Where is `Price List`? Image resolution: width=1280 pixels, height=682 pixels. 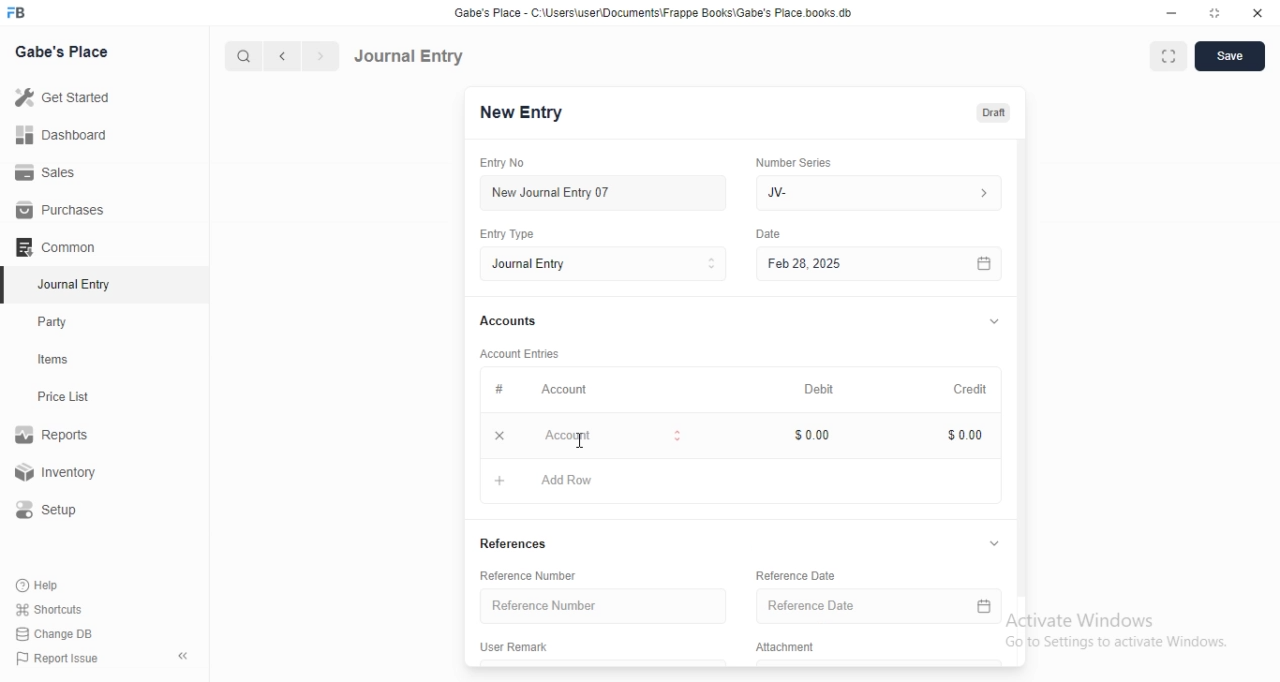
Price List is located at coordinates (62, 397).